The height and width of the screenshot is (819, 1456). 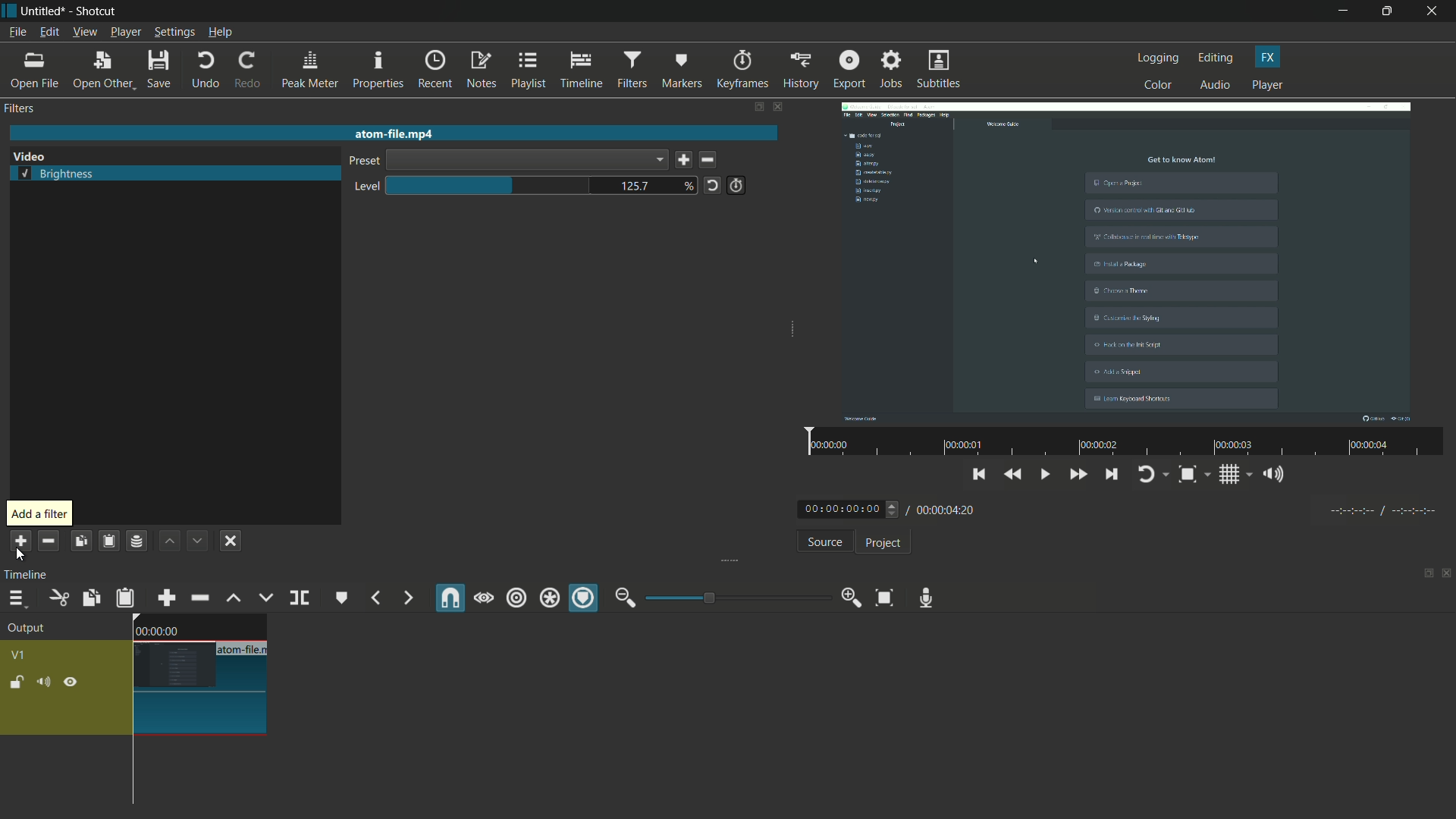 What do you see at coordinates (1237, 477) in the screenshot?
I see `toggle grid system` at bounding box center [1237, 477].